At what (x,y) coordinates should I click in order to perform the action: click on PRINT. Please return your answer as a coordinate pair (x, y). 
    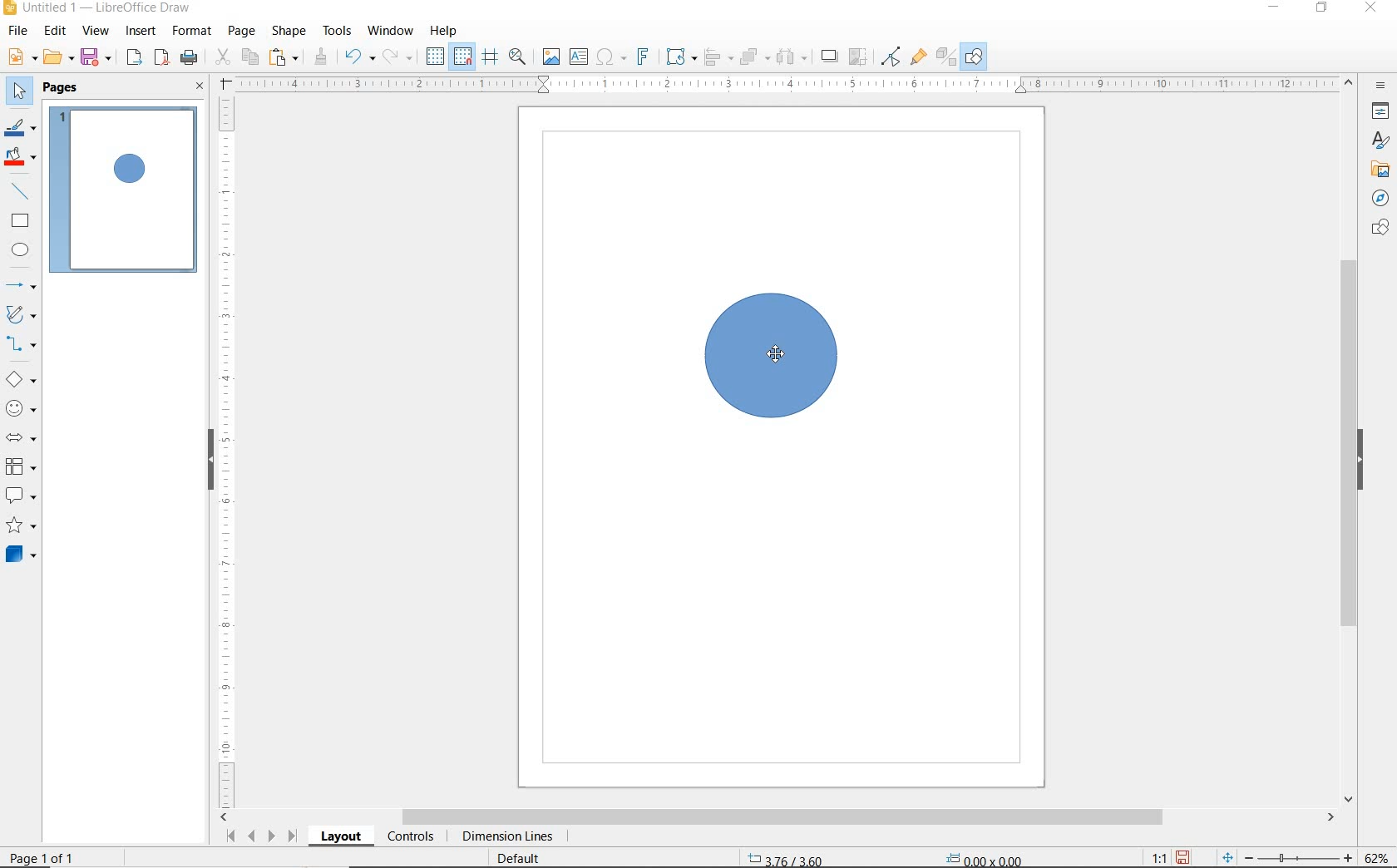
    Looking at the image, I should click on (189, 57).